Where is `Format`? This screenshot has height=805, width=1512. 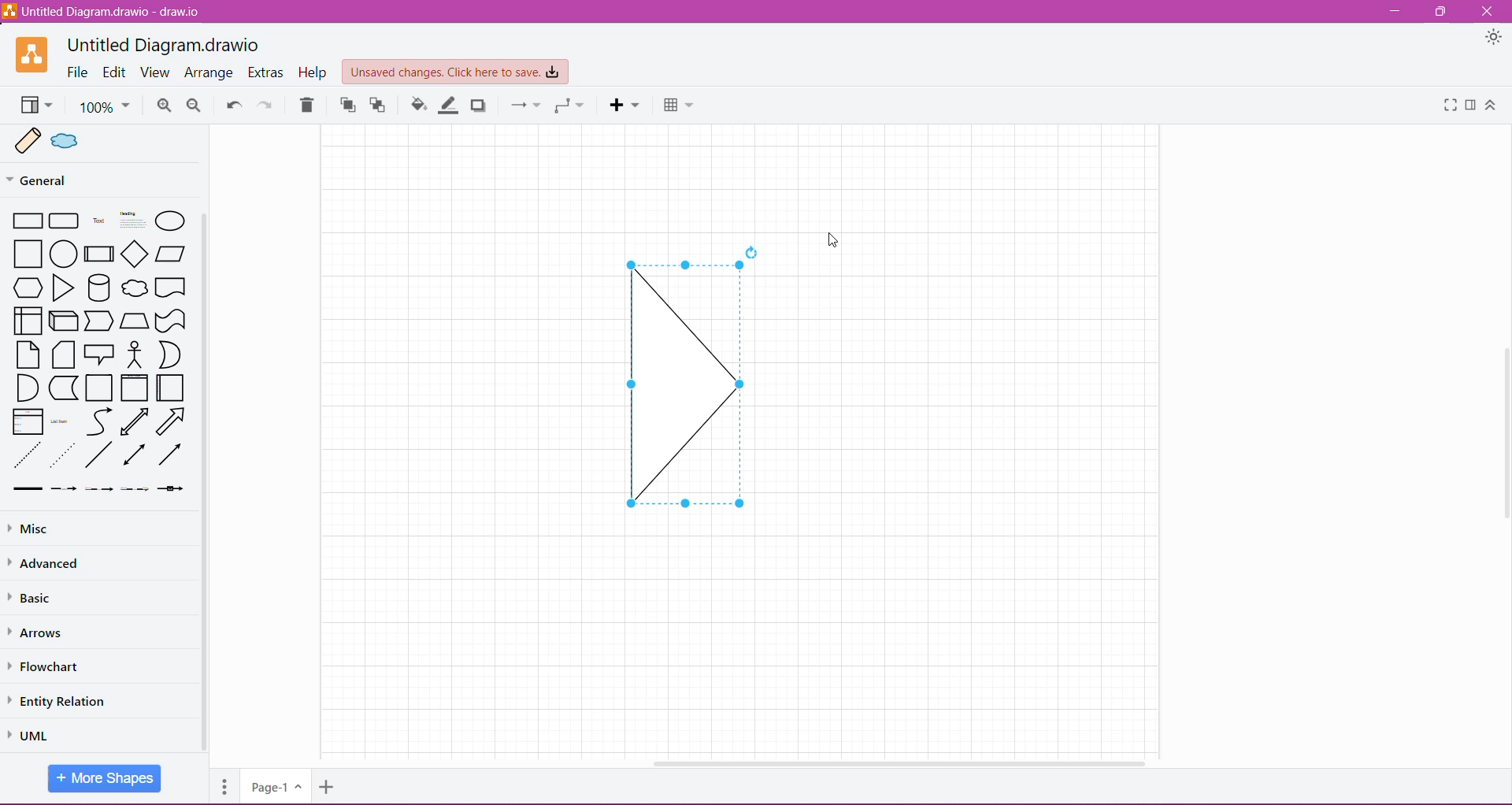 Format is located at coordinates (1470, 106).